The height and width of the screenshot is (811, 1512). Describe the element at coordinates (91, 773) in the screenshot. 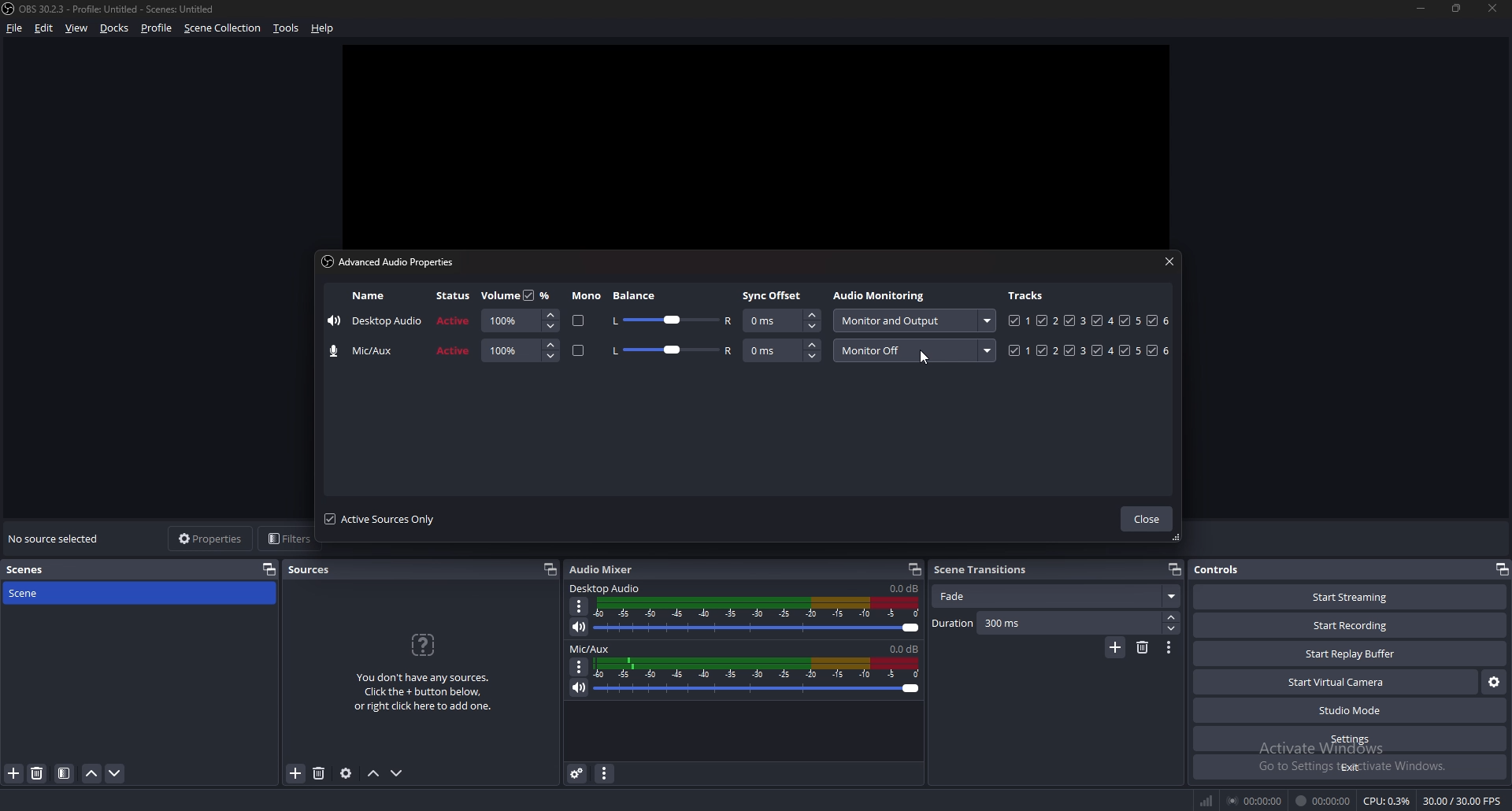

I see `move scene up` at that location.